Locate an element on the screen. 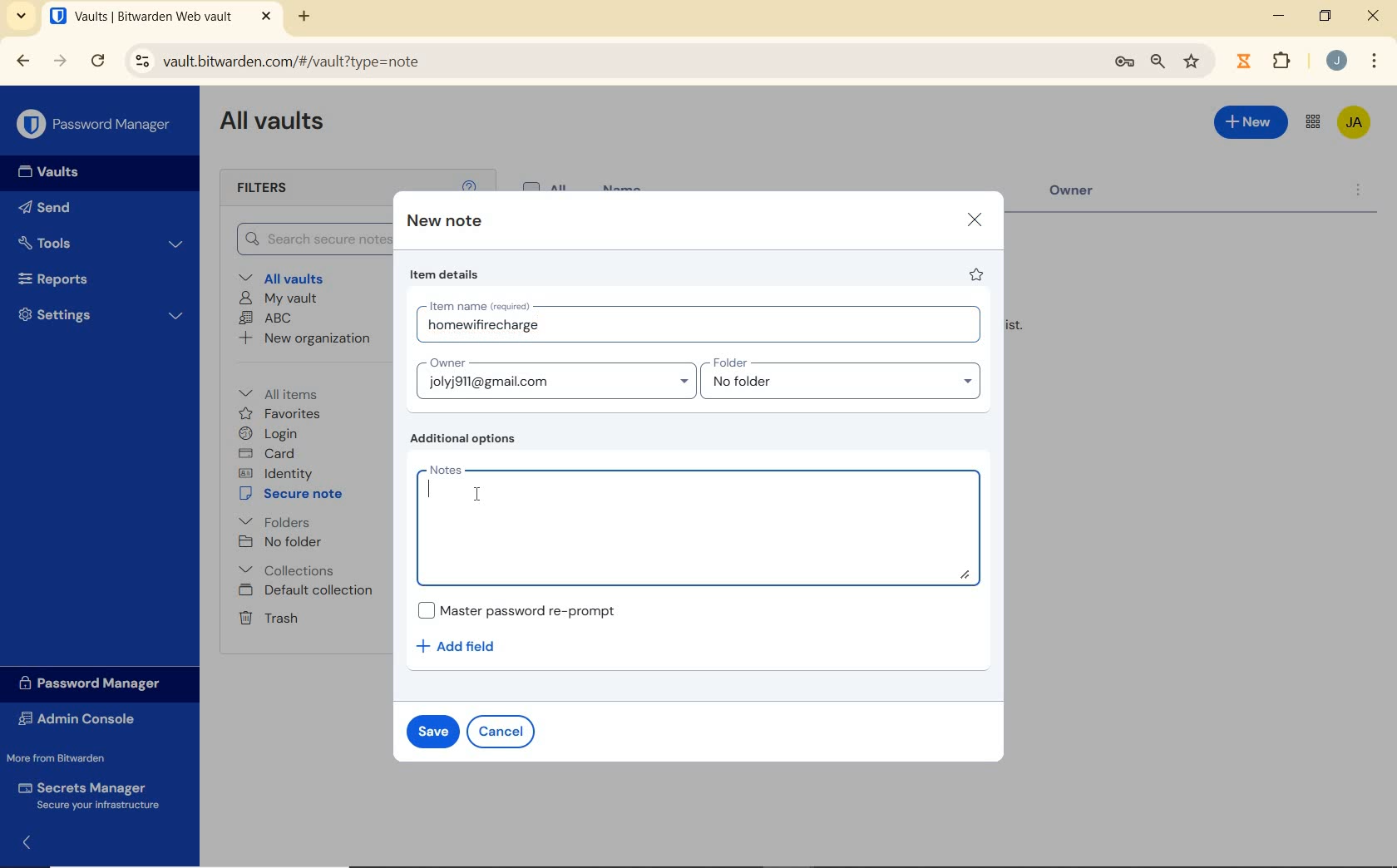  login is located at coordinates (271, 433).